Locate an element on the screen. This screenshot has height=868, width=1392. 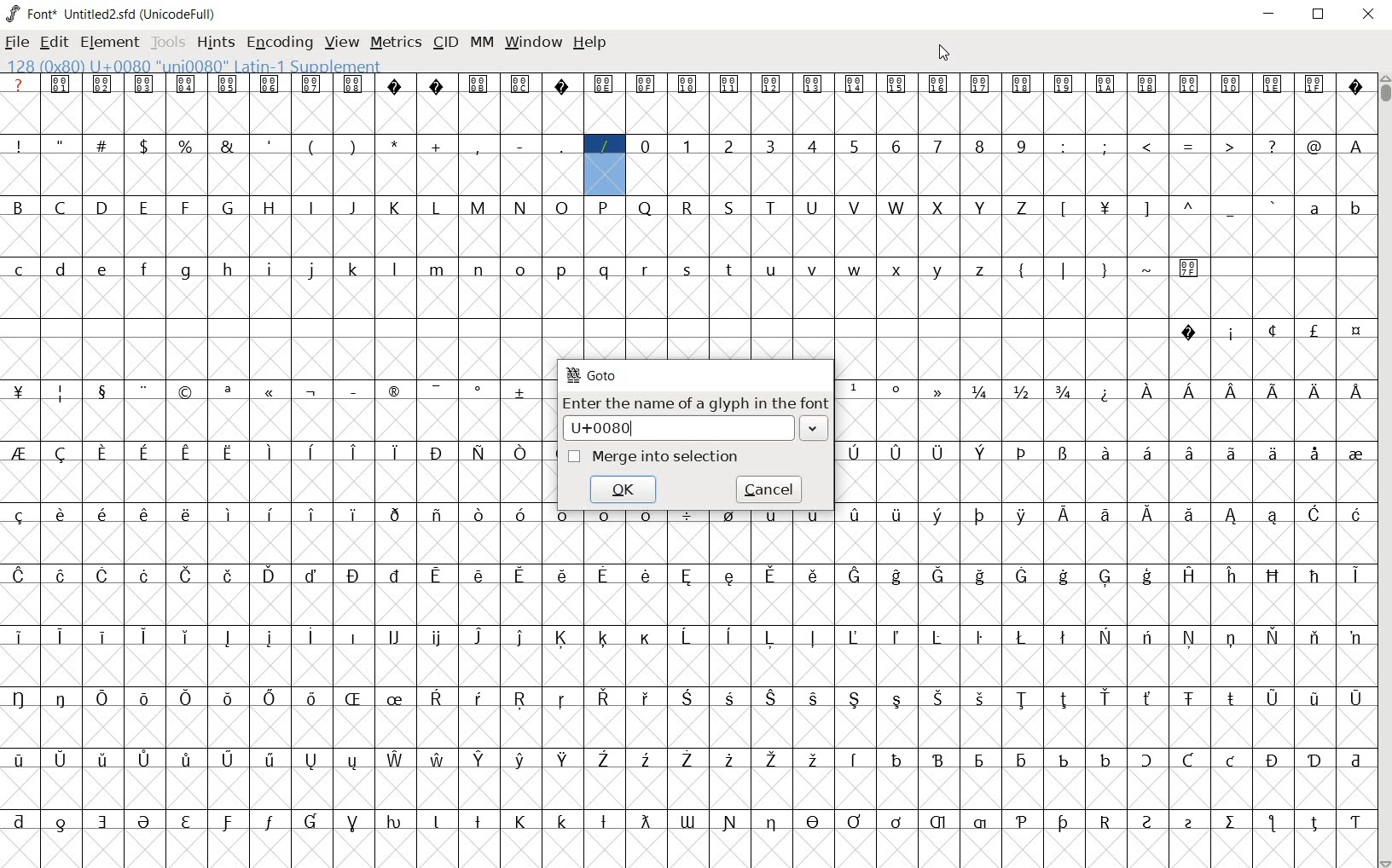
Merge into selection is located at coordinates (668, 457).